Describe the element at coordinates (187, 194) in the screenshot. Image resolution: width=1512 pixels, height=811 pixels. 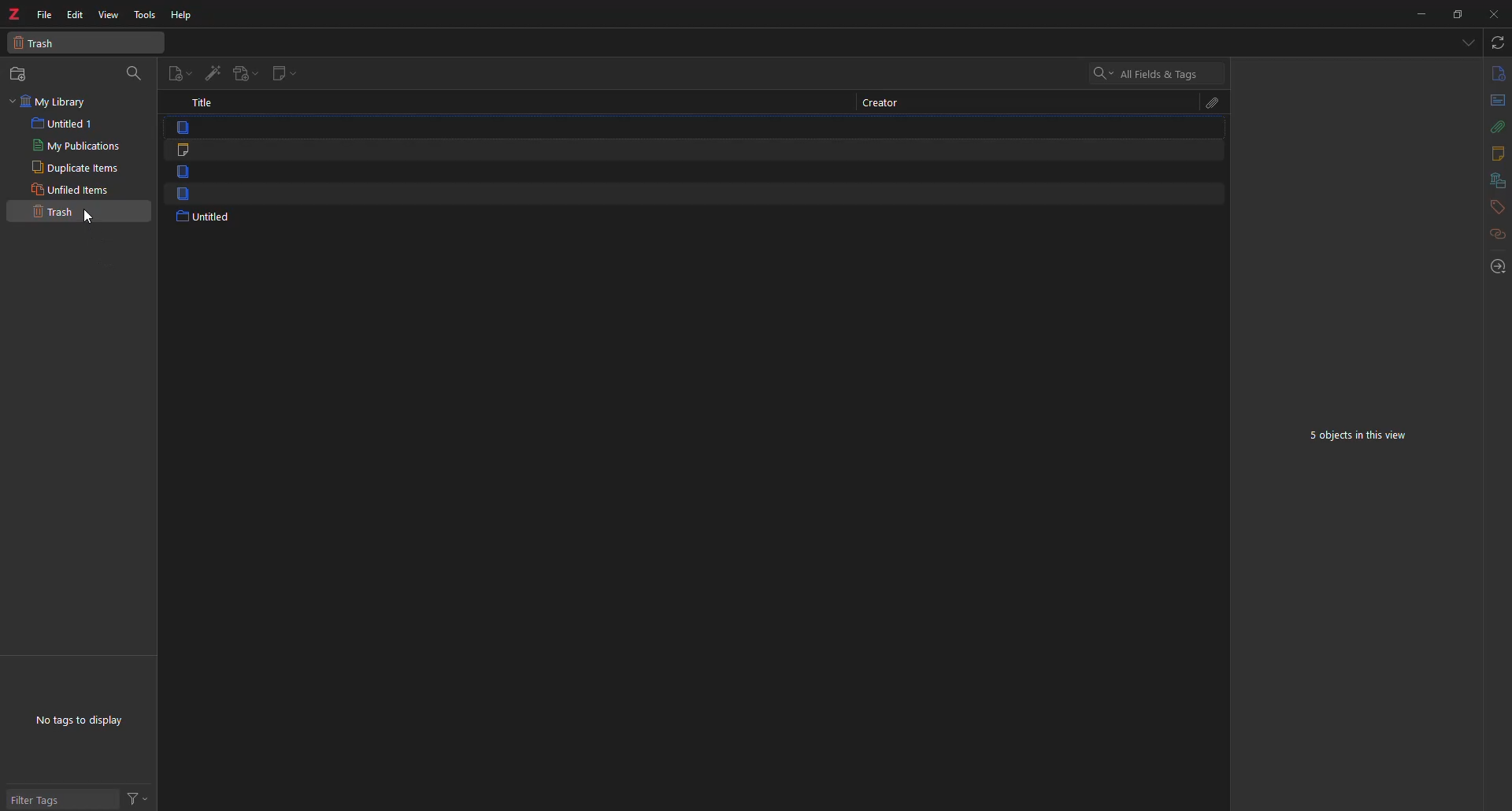
I see `item` at that location.